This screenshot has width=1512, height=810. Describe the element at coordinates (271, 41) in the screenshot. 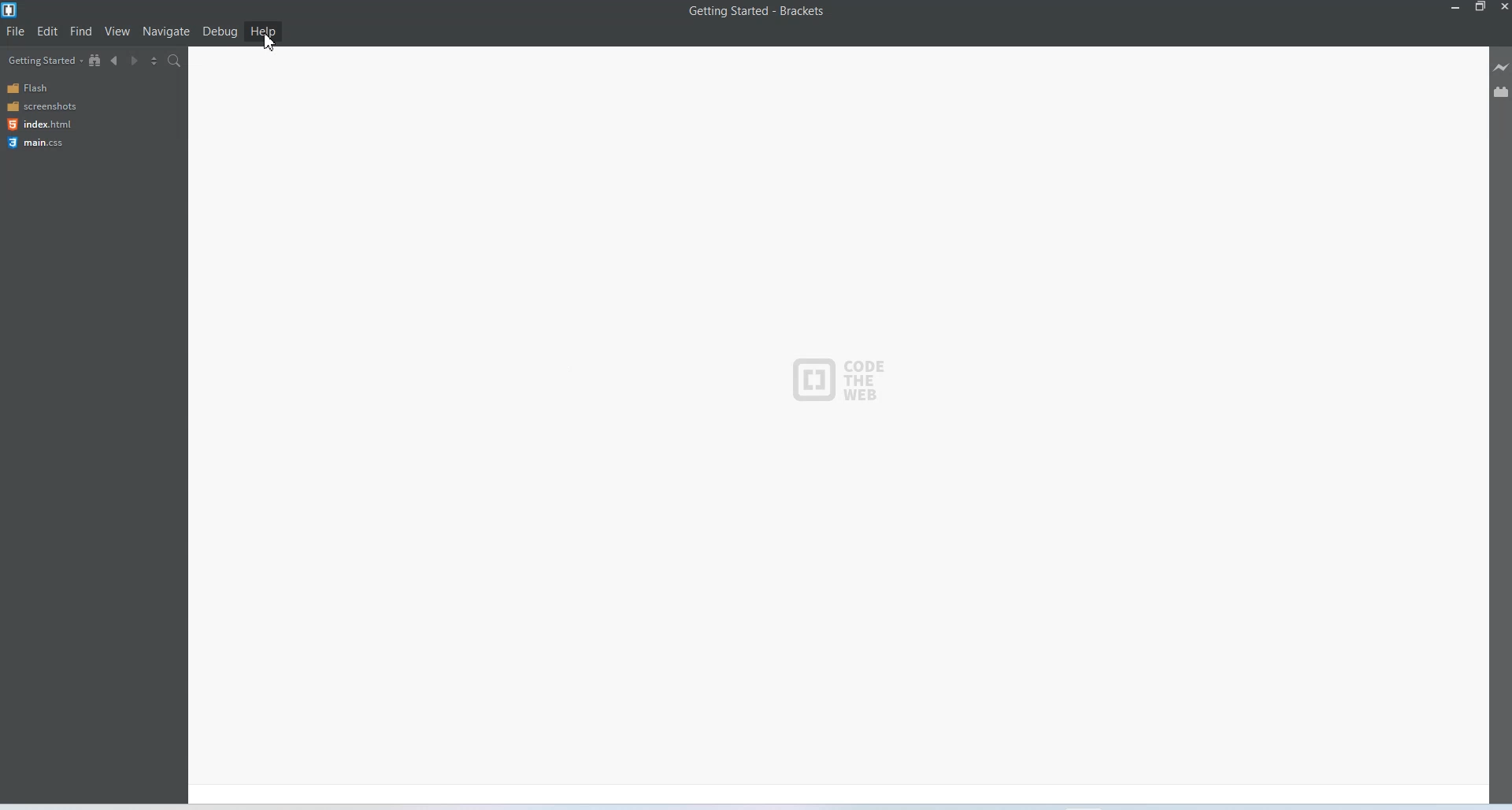

I see `cursor` at that location.